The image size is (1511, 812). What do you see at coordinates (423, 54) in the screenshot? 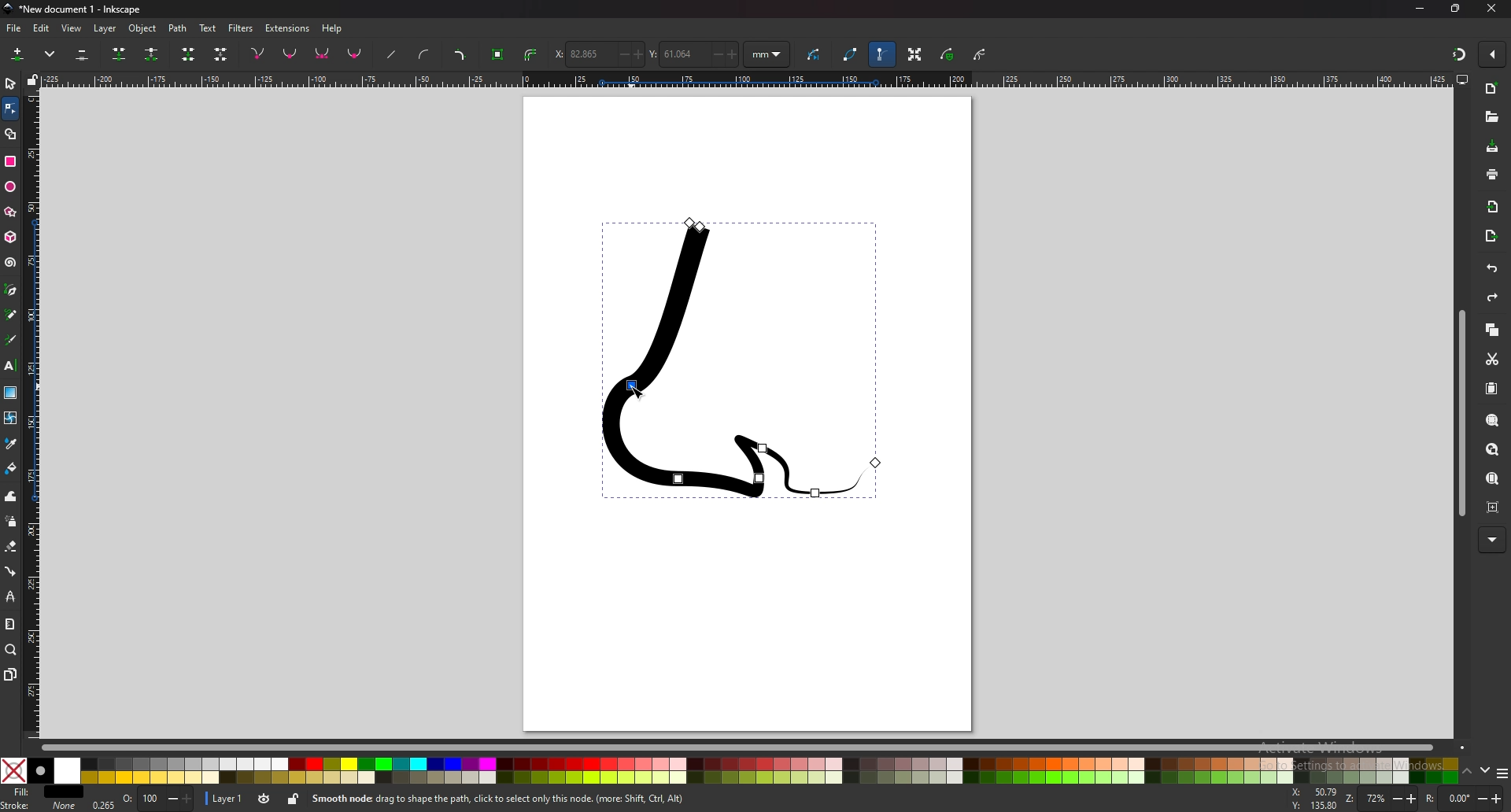
I see `add curve handles` at bounding box center [423, 54].